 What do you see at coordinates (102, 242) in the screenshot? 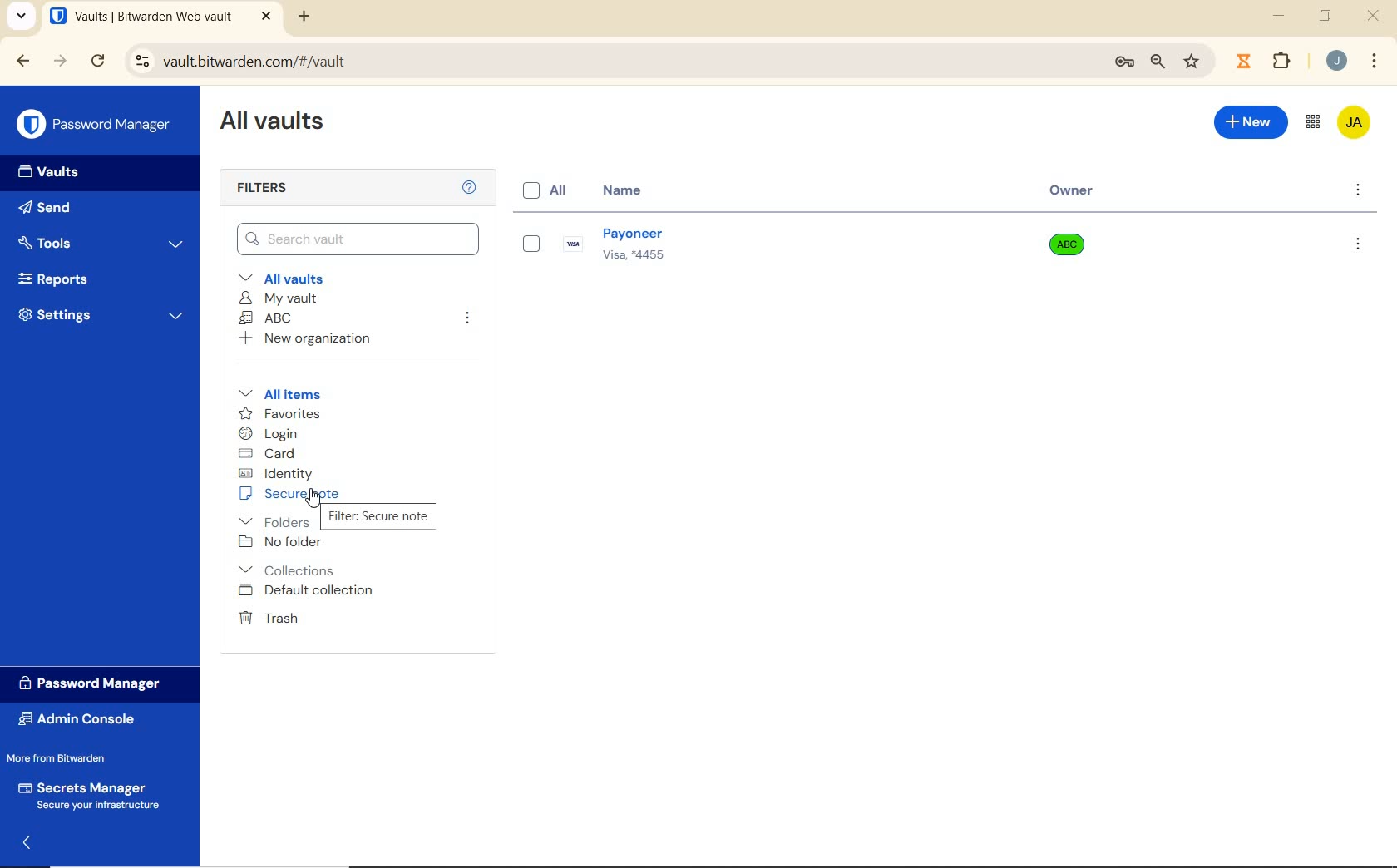
I see `Tools` at bounding box center [102, 242].